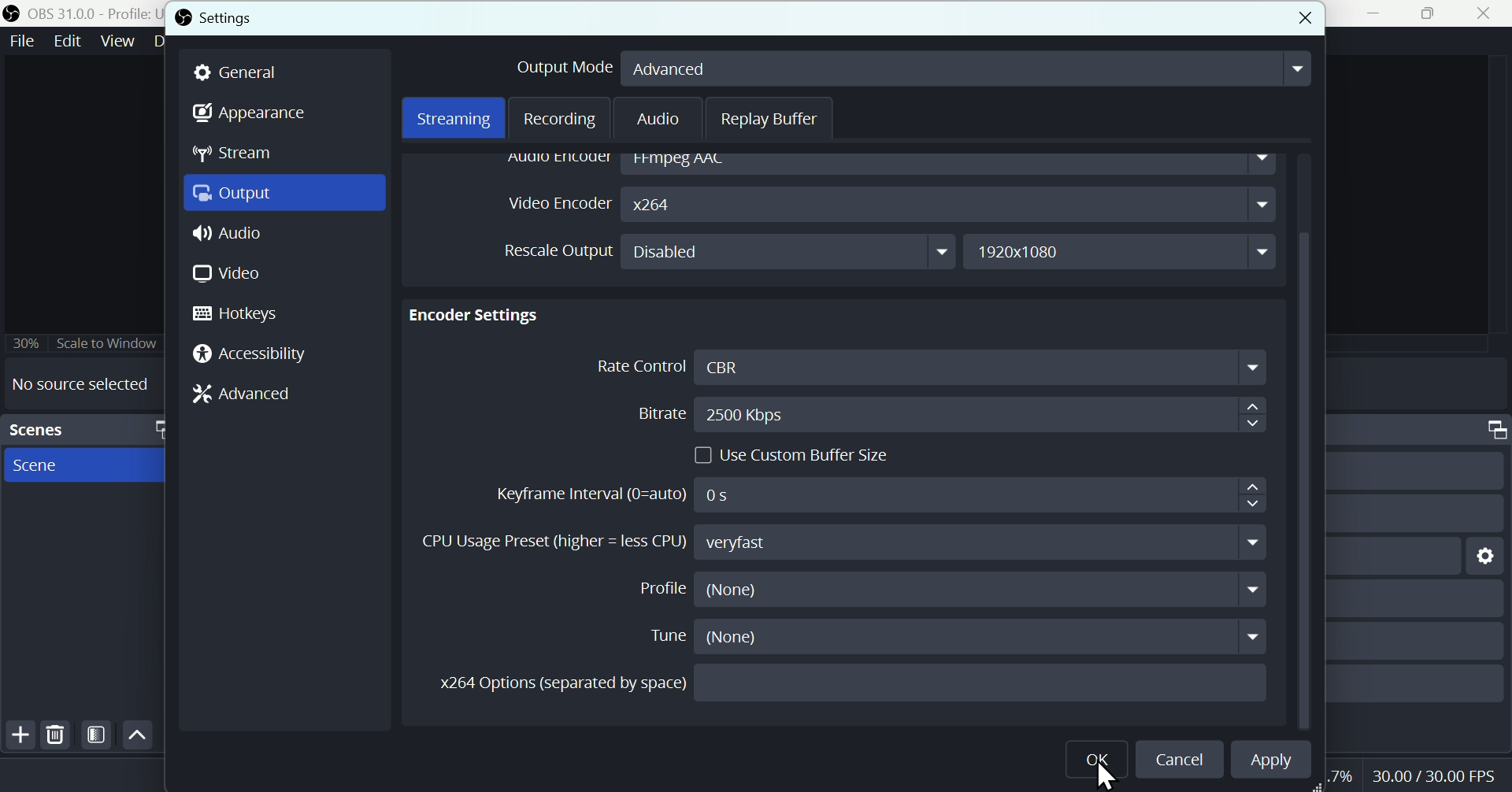  I want to click on settings, so click(213, 20).